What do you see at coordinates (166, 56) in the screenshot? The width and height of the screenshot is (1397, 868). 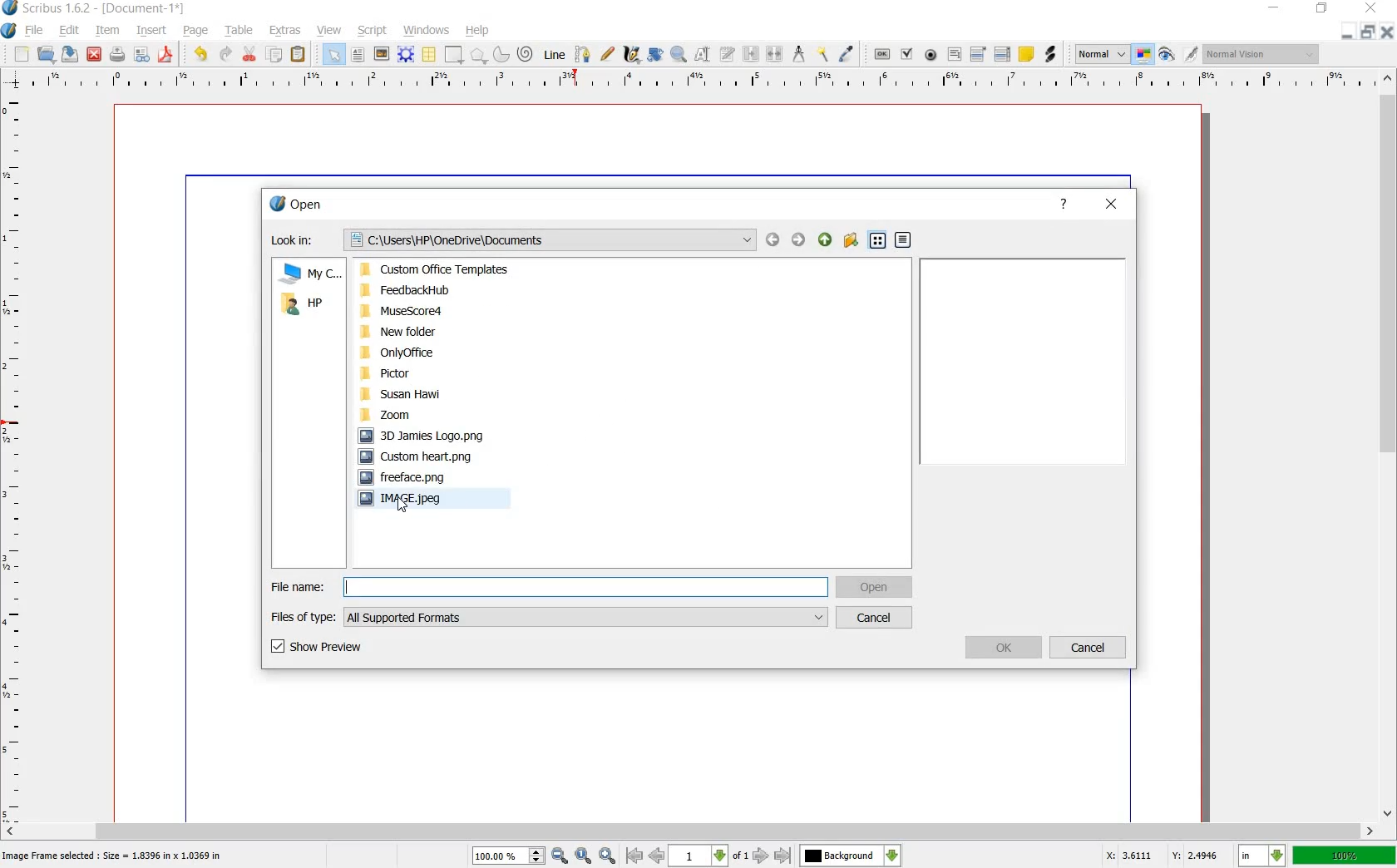 I see `save as pdf` at bounding box center [166, 56].